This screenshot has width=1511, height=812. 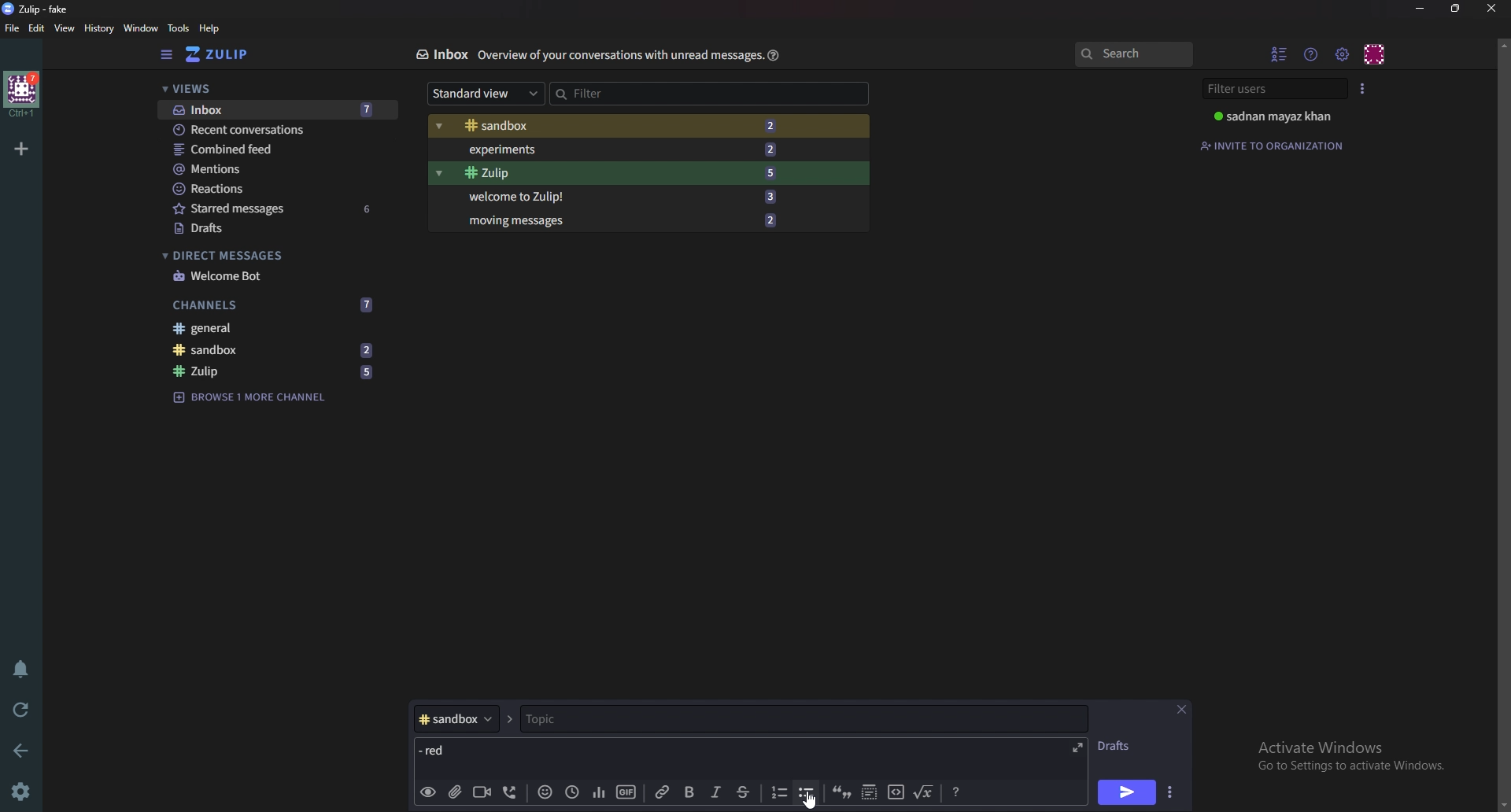 I want to click on Experiments, so click(x=618, y=149).